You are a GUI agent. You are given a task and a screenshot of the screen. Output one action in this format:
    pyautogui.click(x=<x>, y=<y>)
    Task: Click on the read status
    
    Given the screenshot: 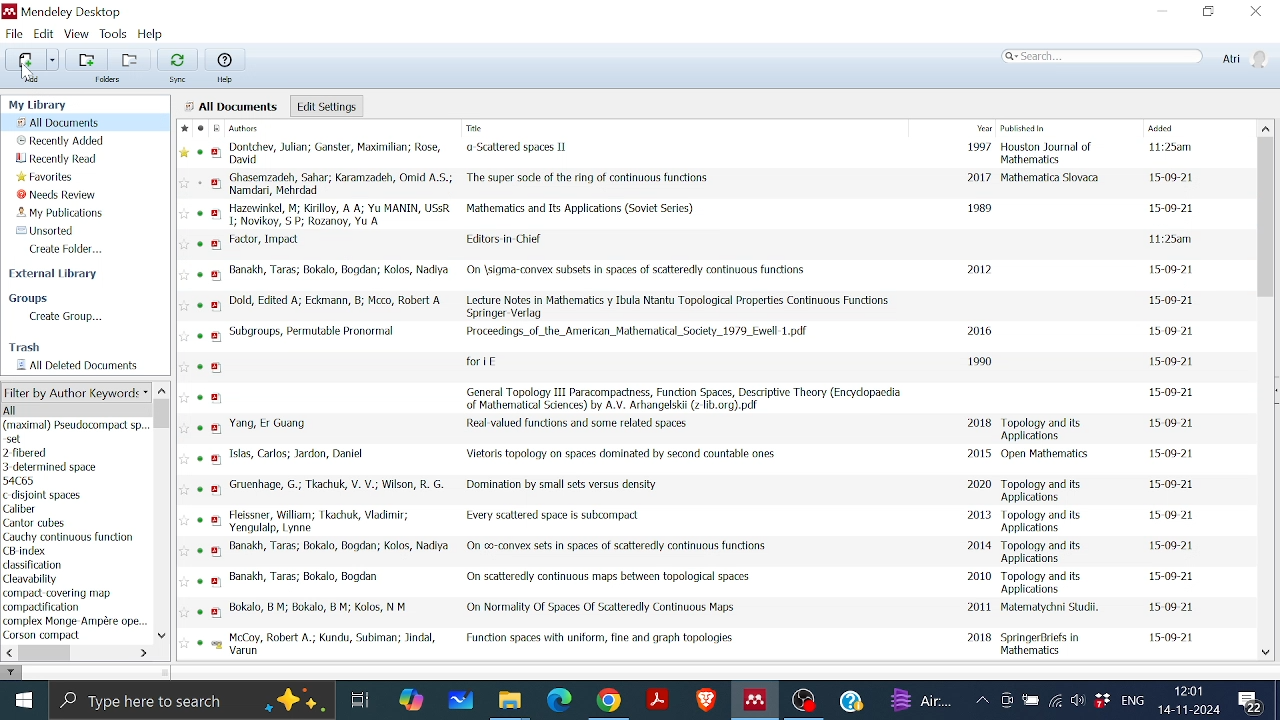 What is the action you would take?
    pyautogui.click(x=200, y=216)
    